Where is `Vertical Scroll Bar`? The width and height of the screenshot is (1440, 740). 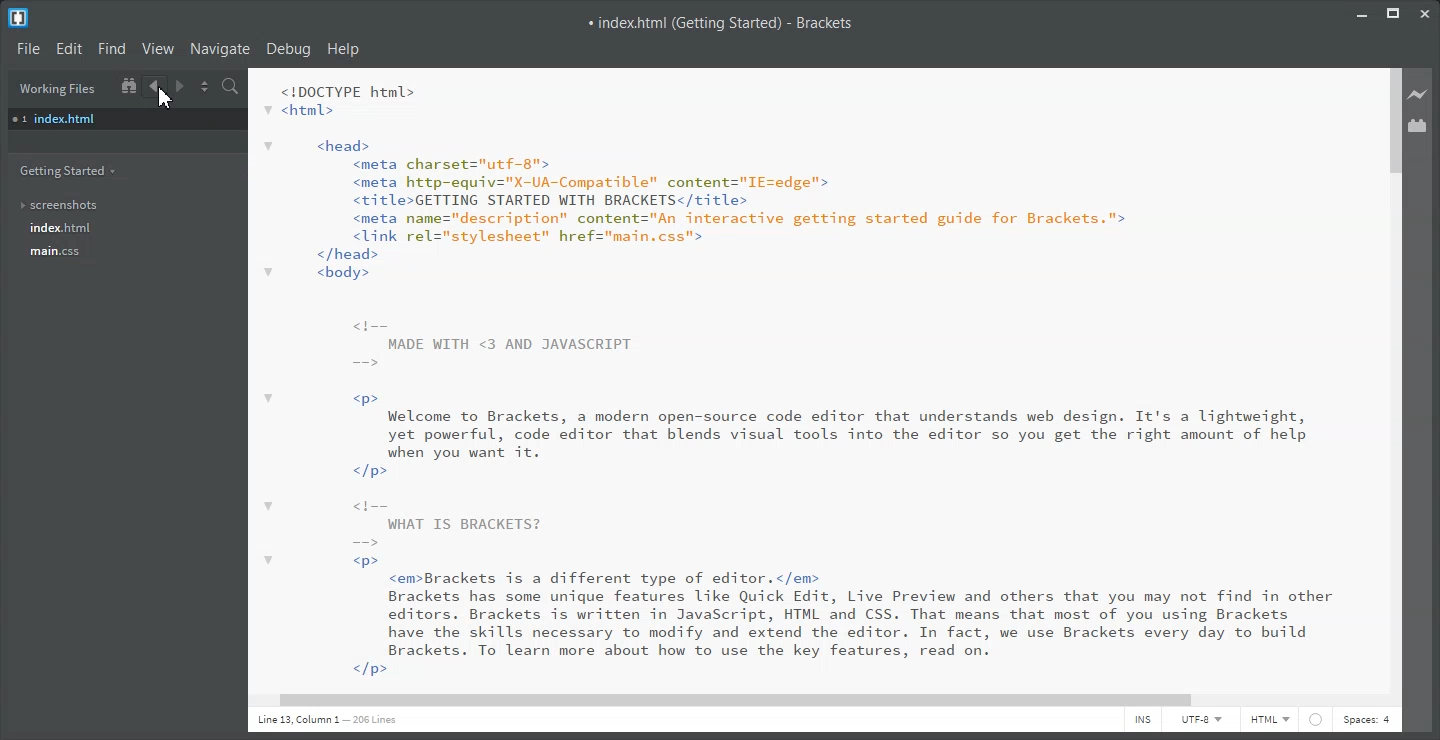
Vertical Scroll Bar is located at coordinates (1394, 376).